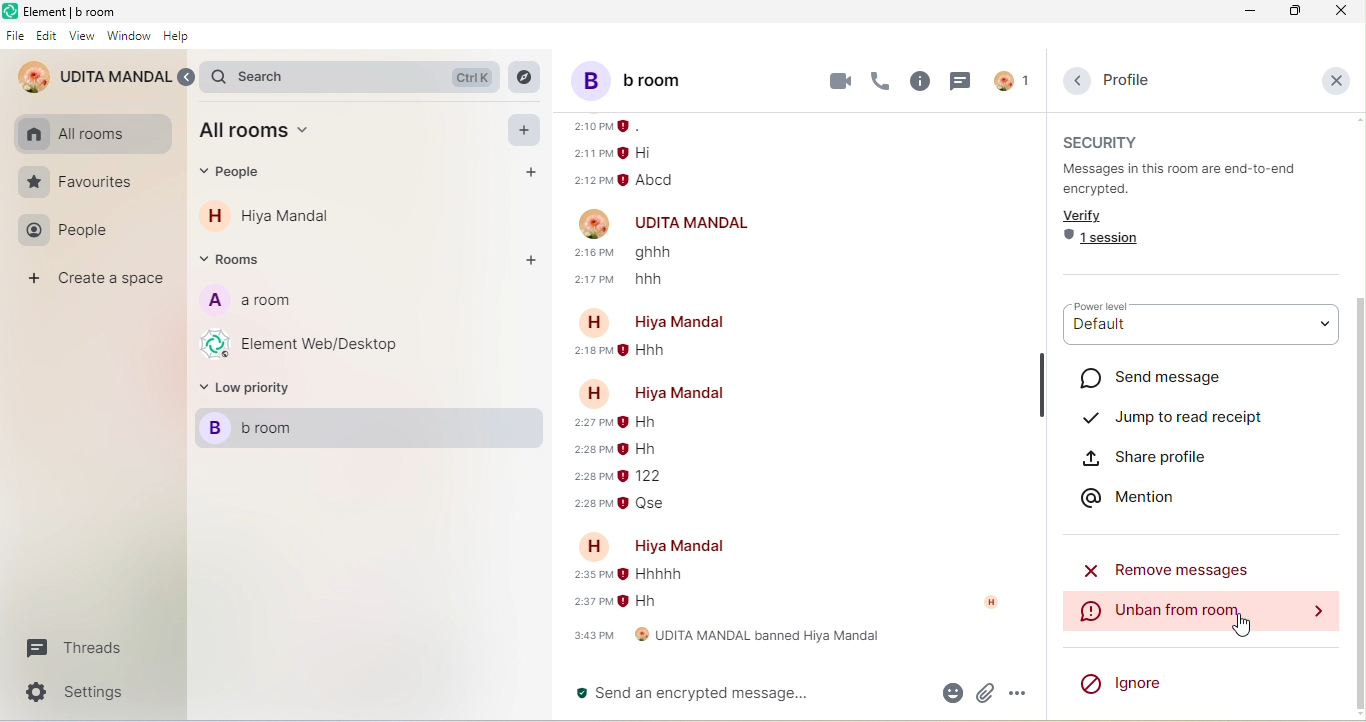  What do you see at coordinates (78, 183) in the screenshot?
I see `favourites` at bounding box center [78, 183].